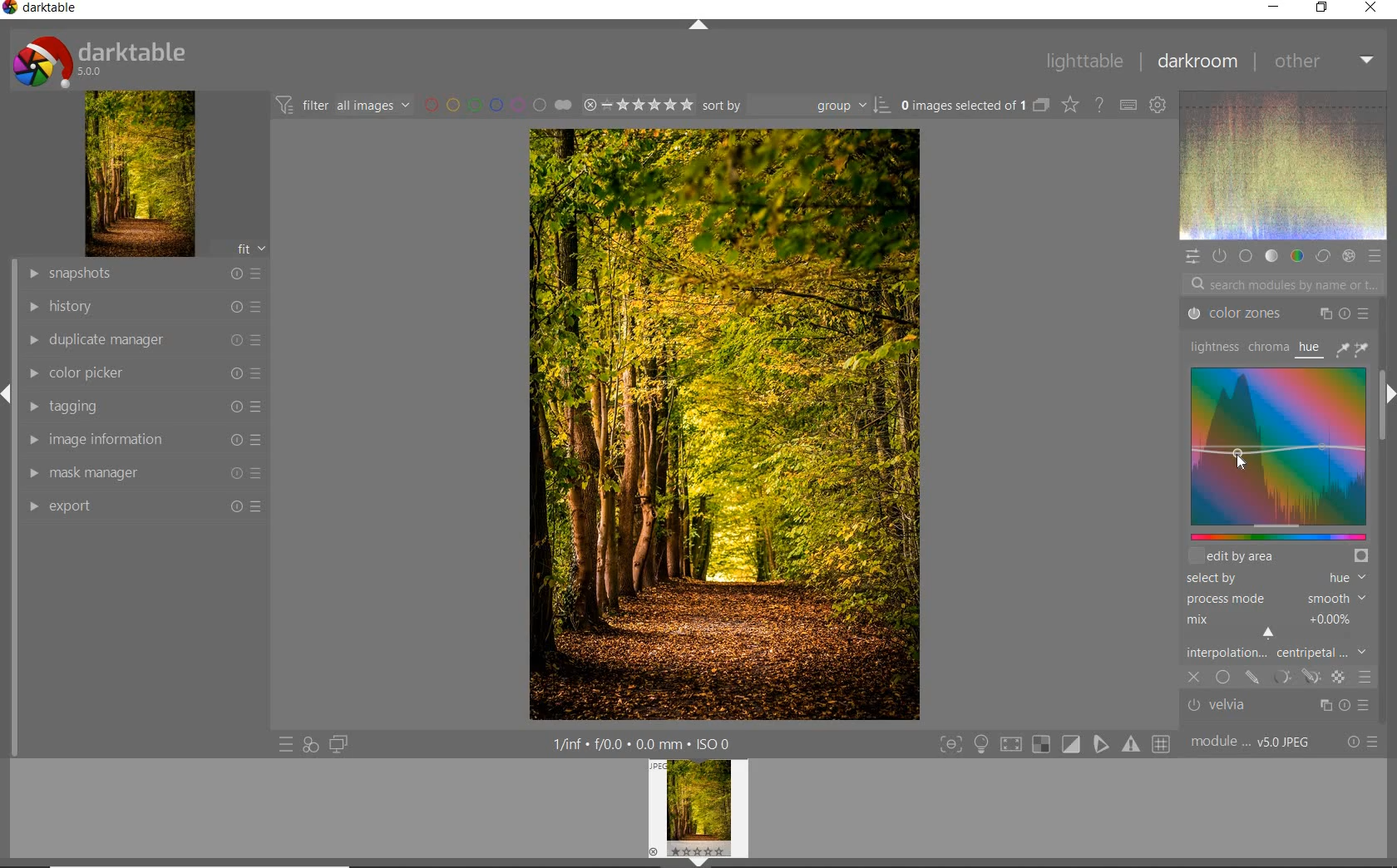  I want to click on HISTORY, so click(141, 308).